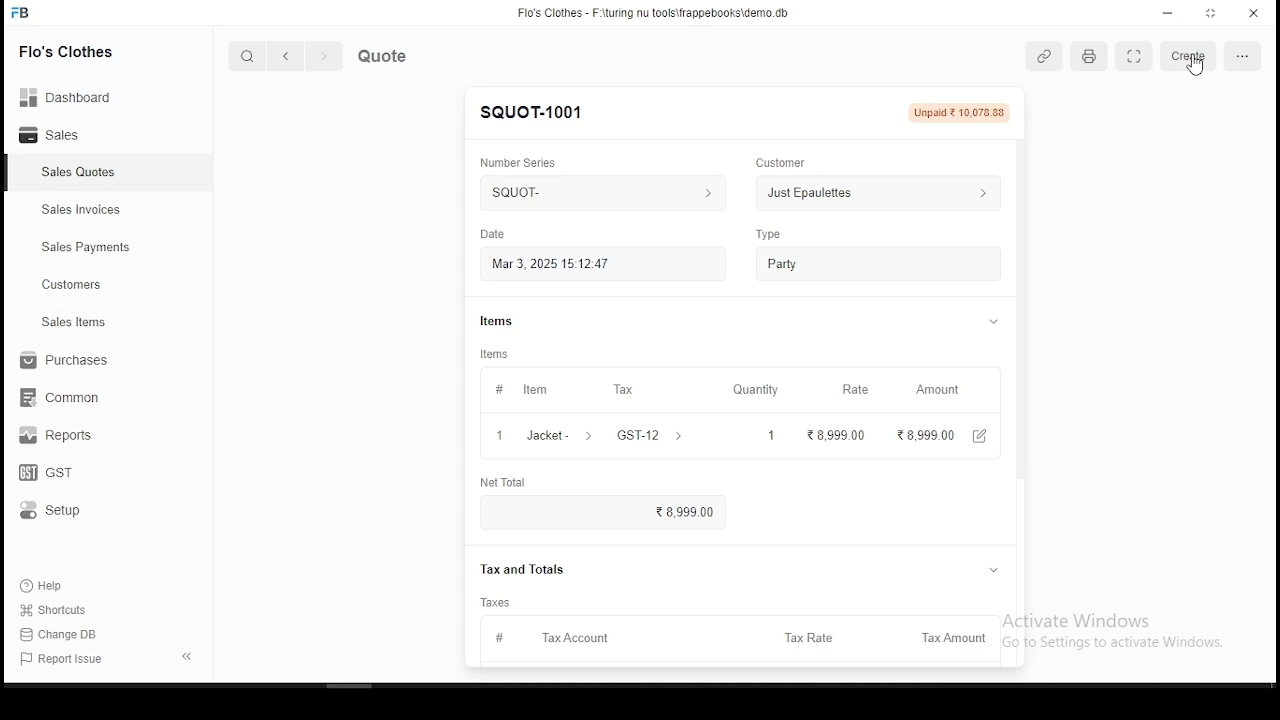 The width and height of the screenshot is (1280, 720). I want to click on 1, so click(771, 434).